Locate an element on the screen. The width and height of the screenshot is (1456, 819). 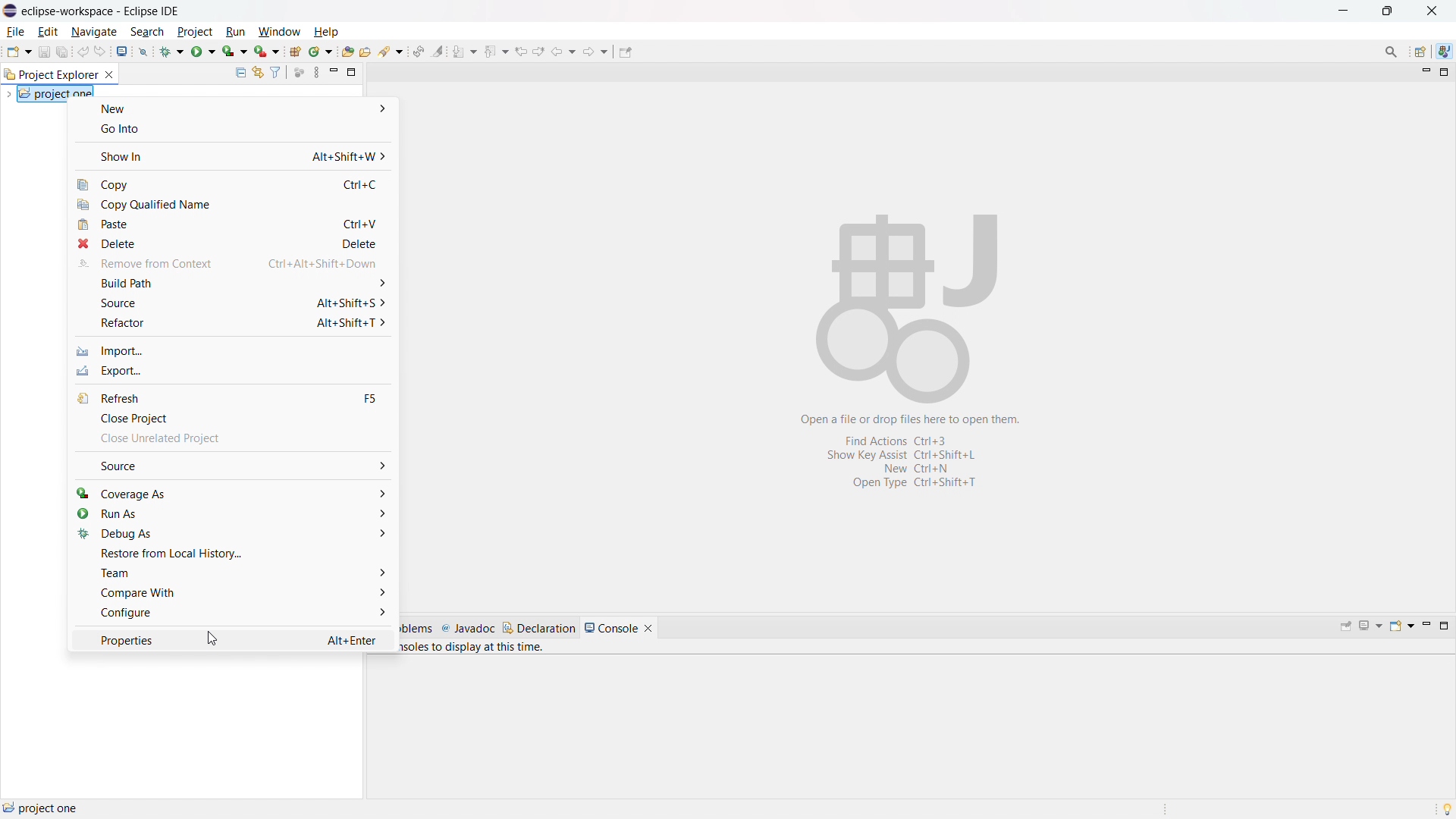
undo is located at coordinates (83, 51).